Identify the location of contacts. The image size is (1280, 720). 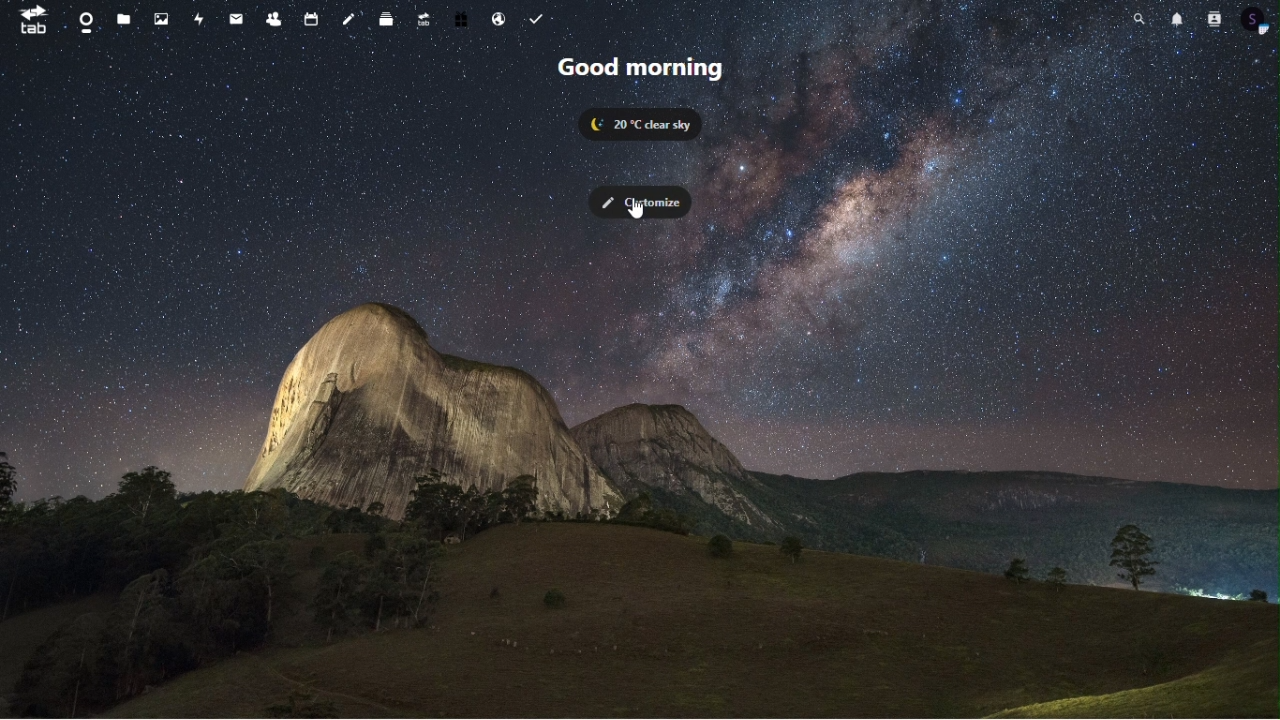
(275, 21).